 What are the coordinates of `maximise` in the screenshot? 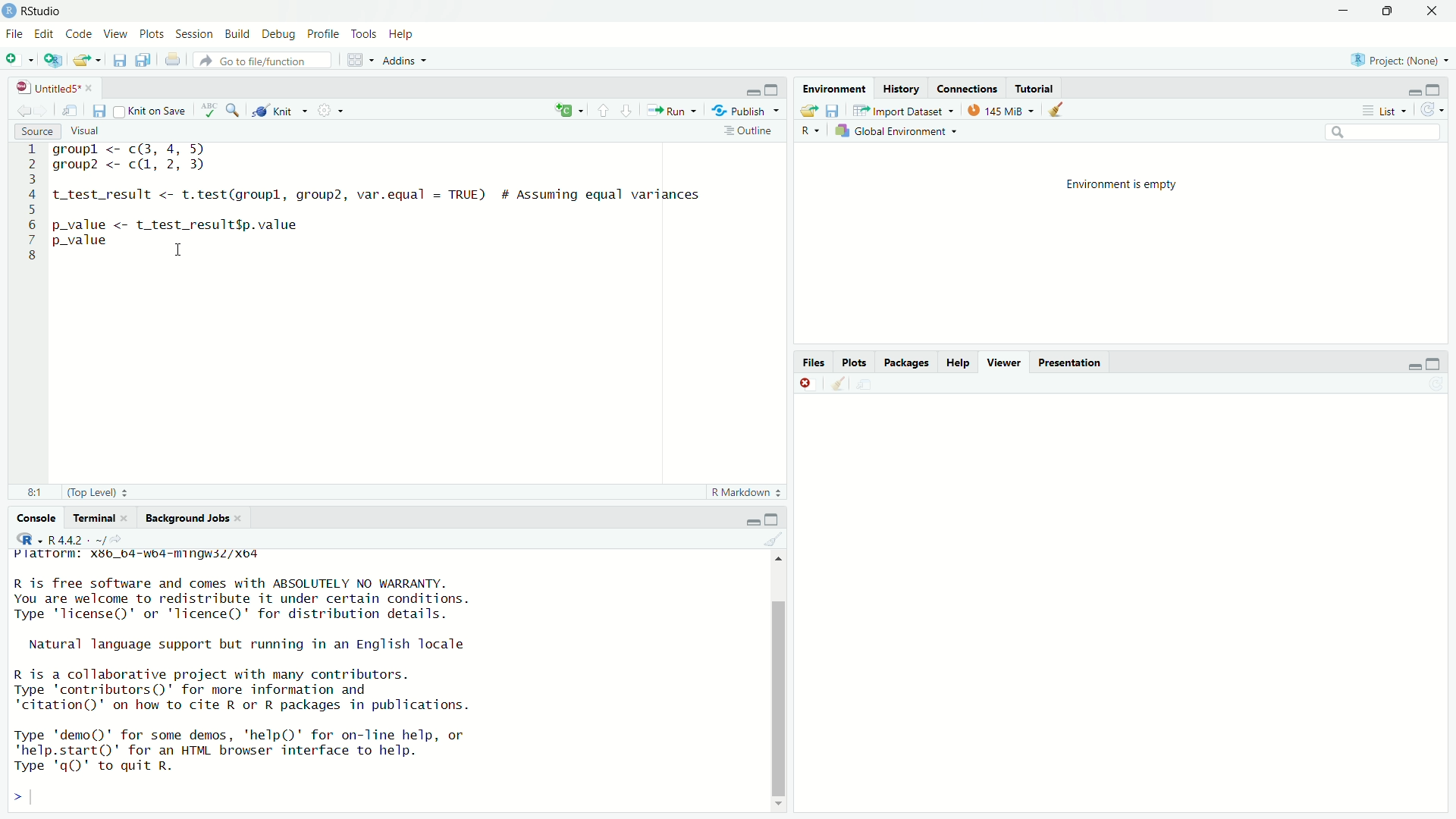 It's located at (773, 89).